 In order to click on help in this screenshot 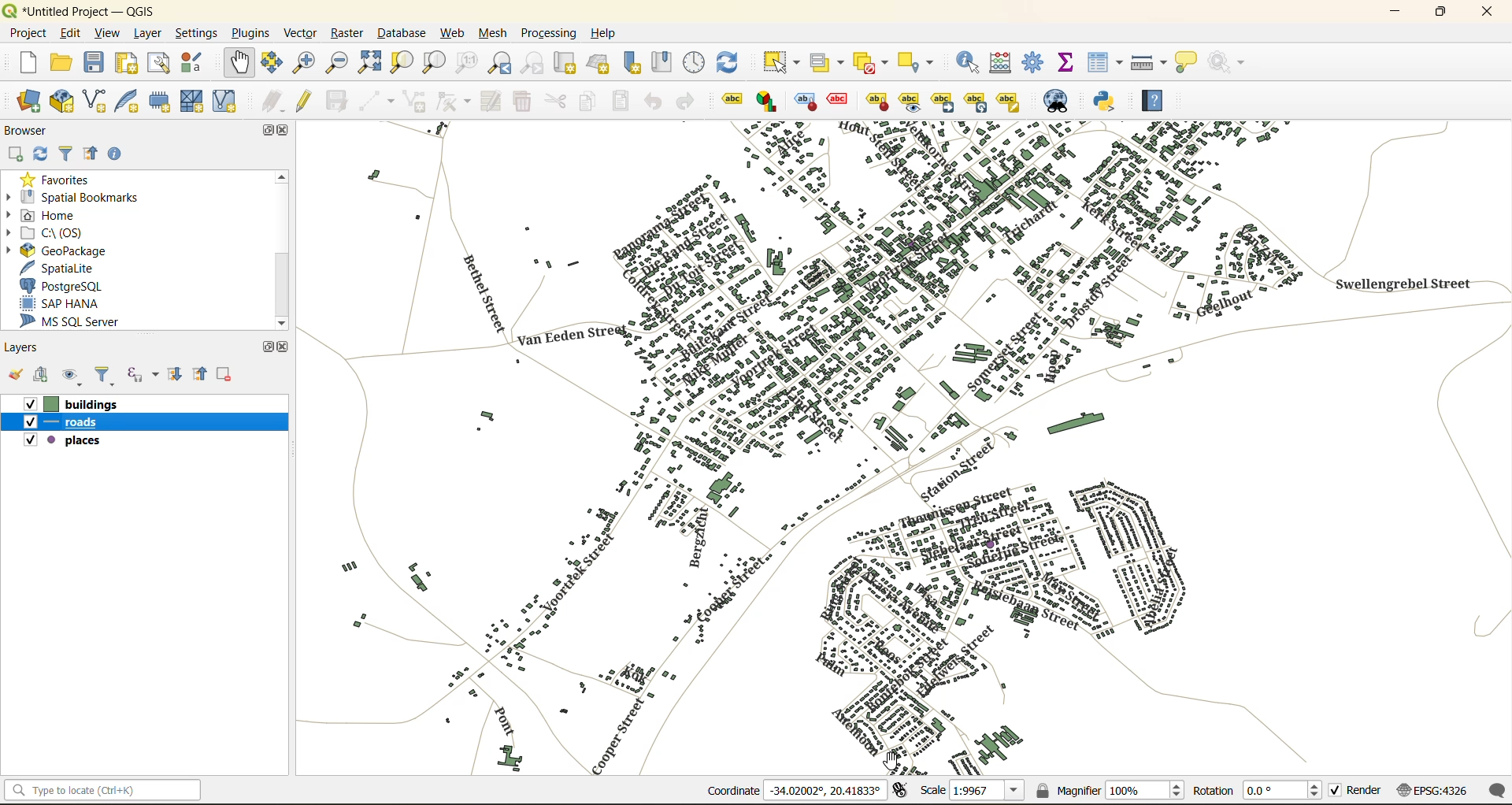, I will do `click(609, 34)`.